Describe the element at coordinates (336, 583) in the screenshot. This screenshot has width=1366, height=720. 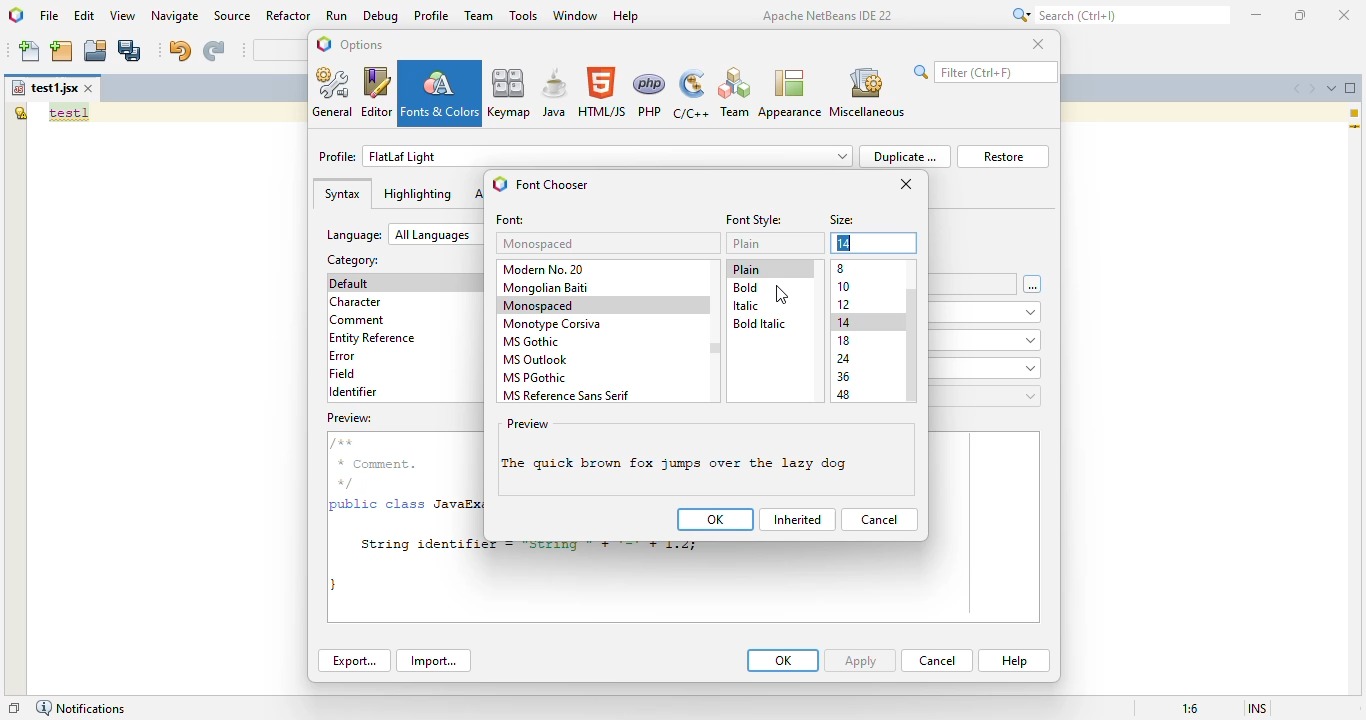
I see `}` at that location.